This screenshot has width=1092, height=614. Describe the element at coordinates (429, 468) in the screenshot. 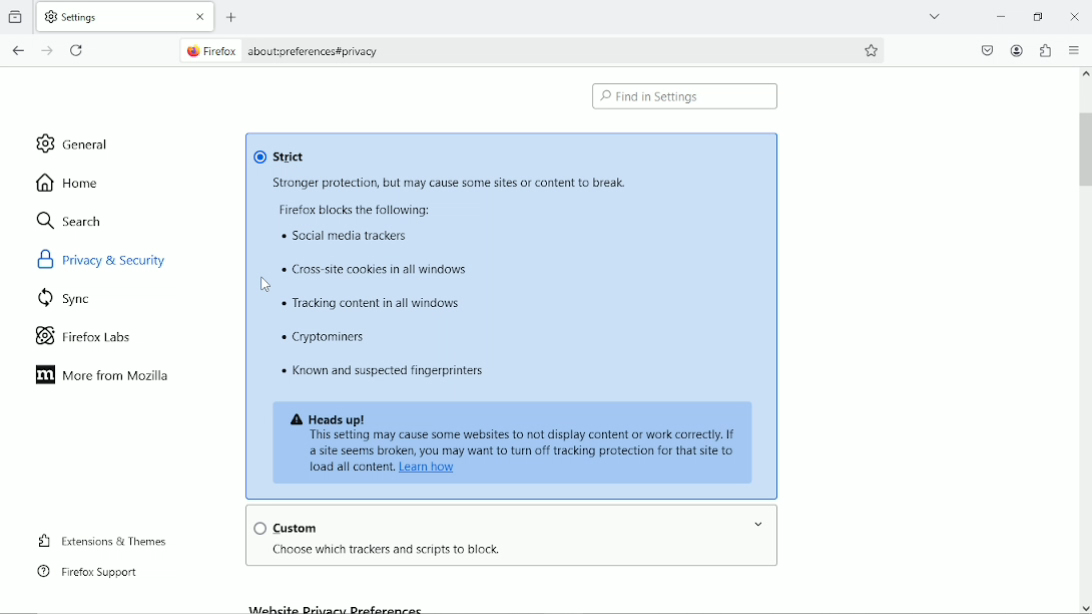

I see `link` at that location.